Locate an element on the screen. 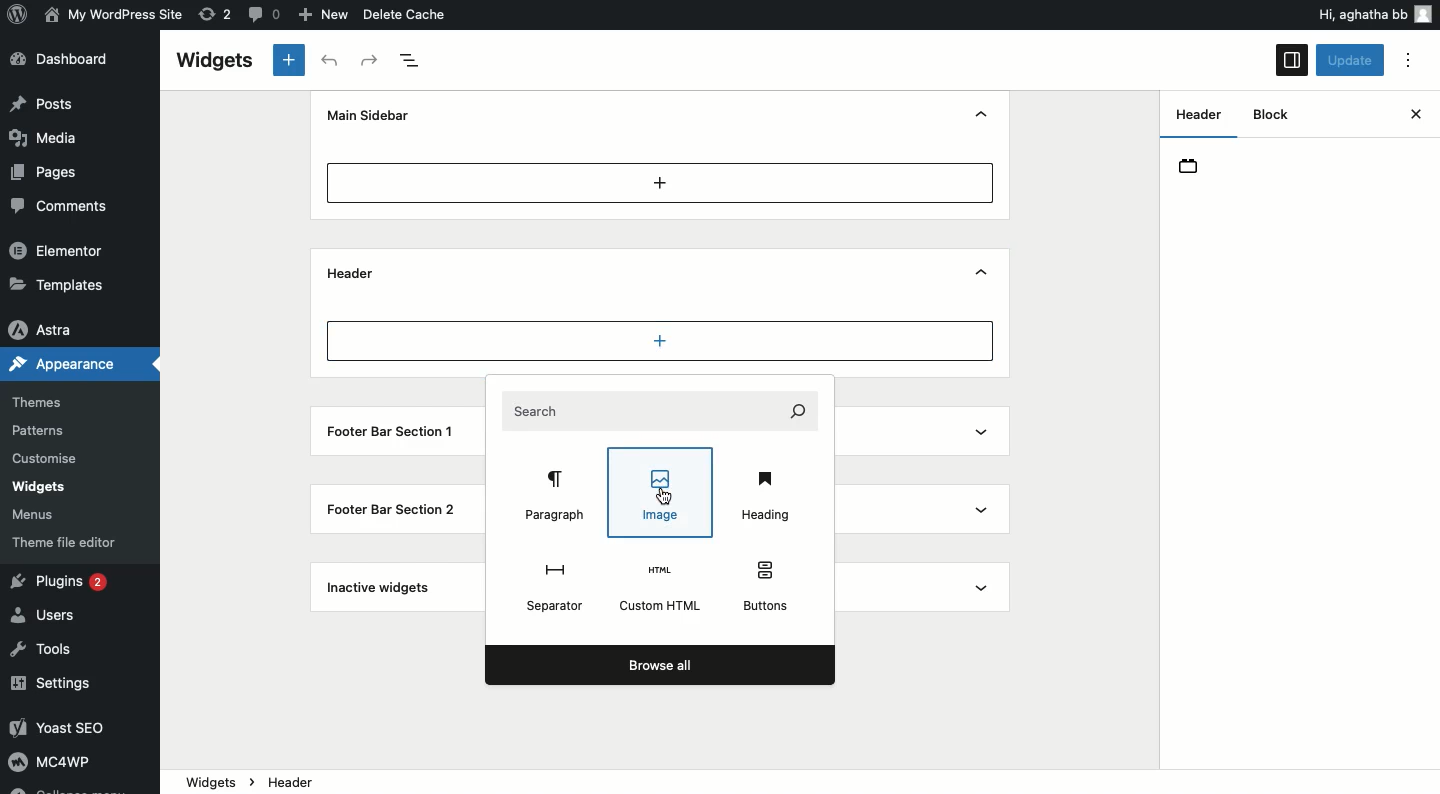  Plugins is located at coordinates (63, 583).